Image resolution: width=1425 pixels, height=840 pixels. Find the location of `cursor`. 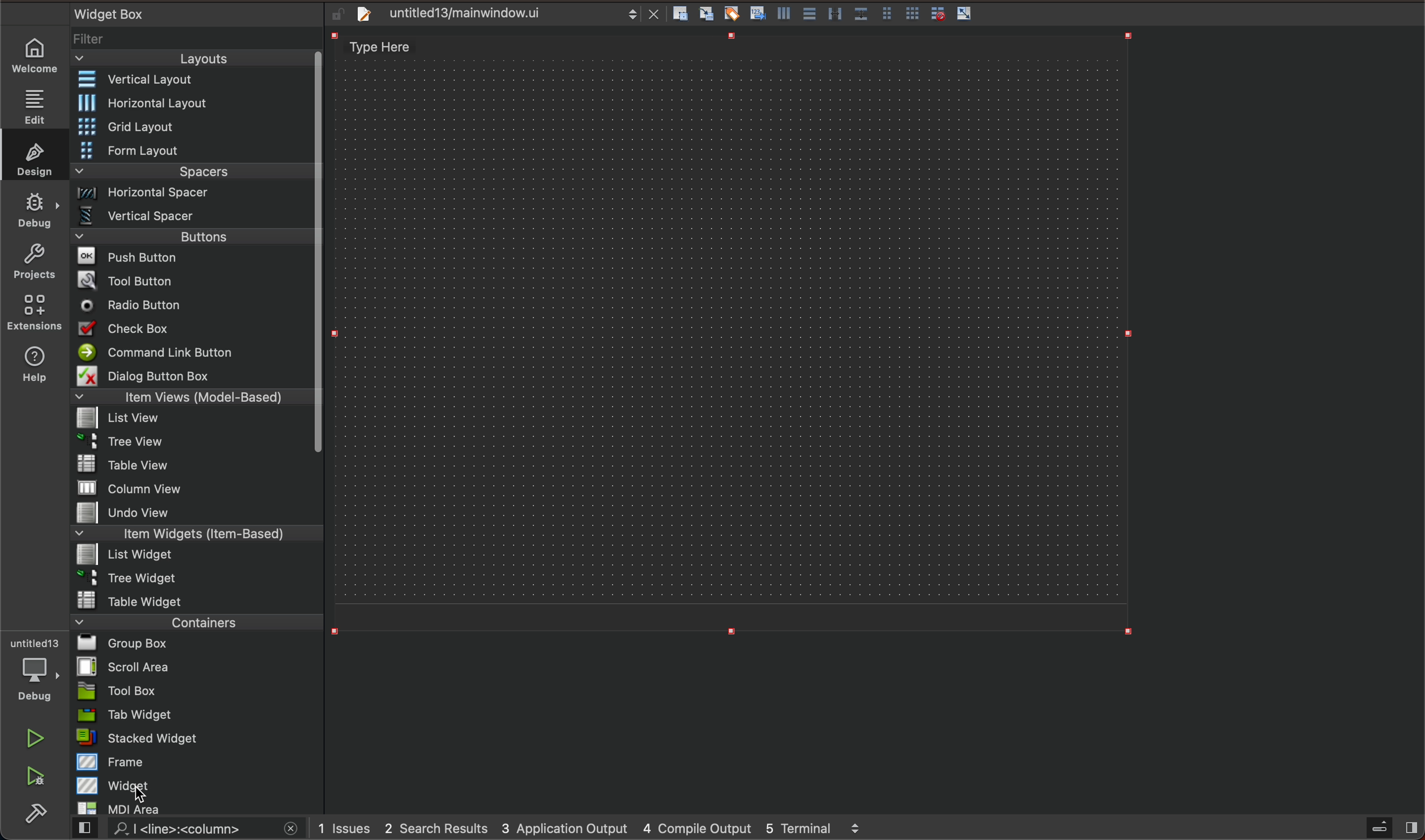

cursor is located at coordinates (143, 799).